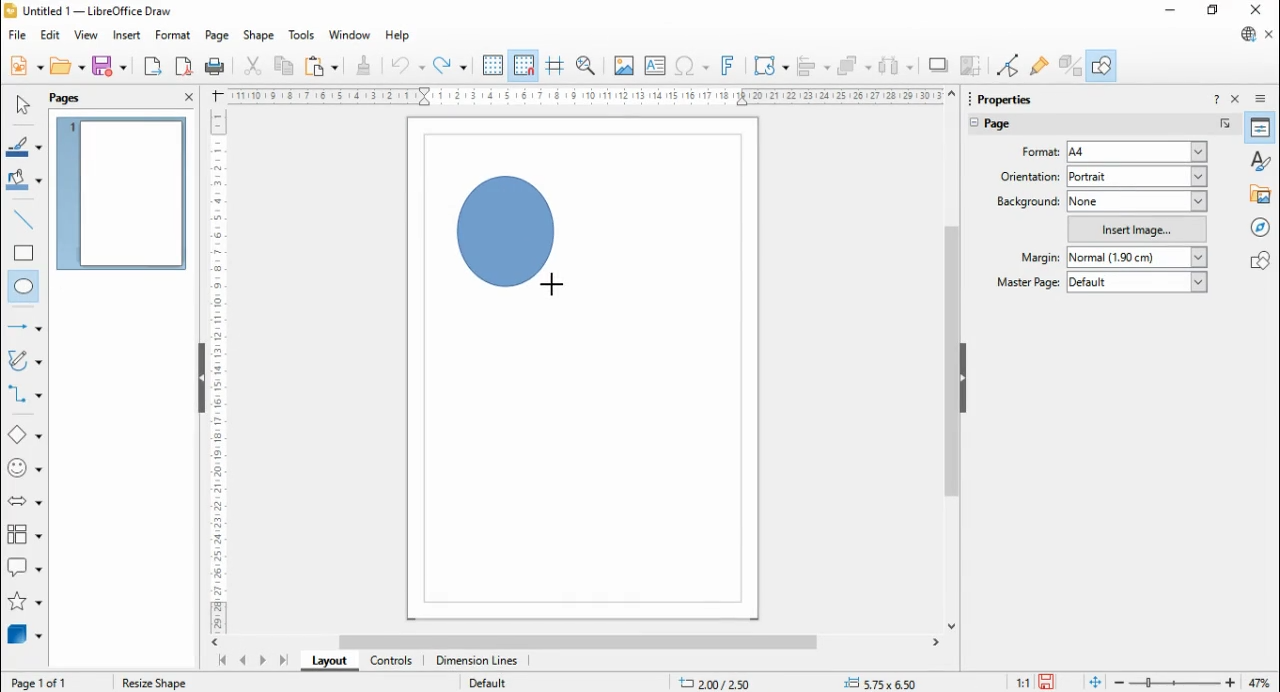 The height and width of the screenshot is (692, 1280). Describe the element at coordinates (217, 367) in the screenshot. I see `Scale` at that location.